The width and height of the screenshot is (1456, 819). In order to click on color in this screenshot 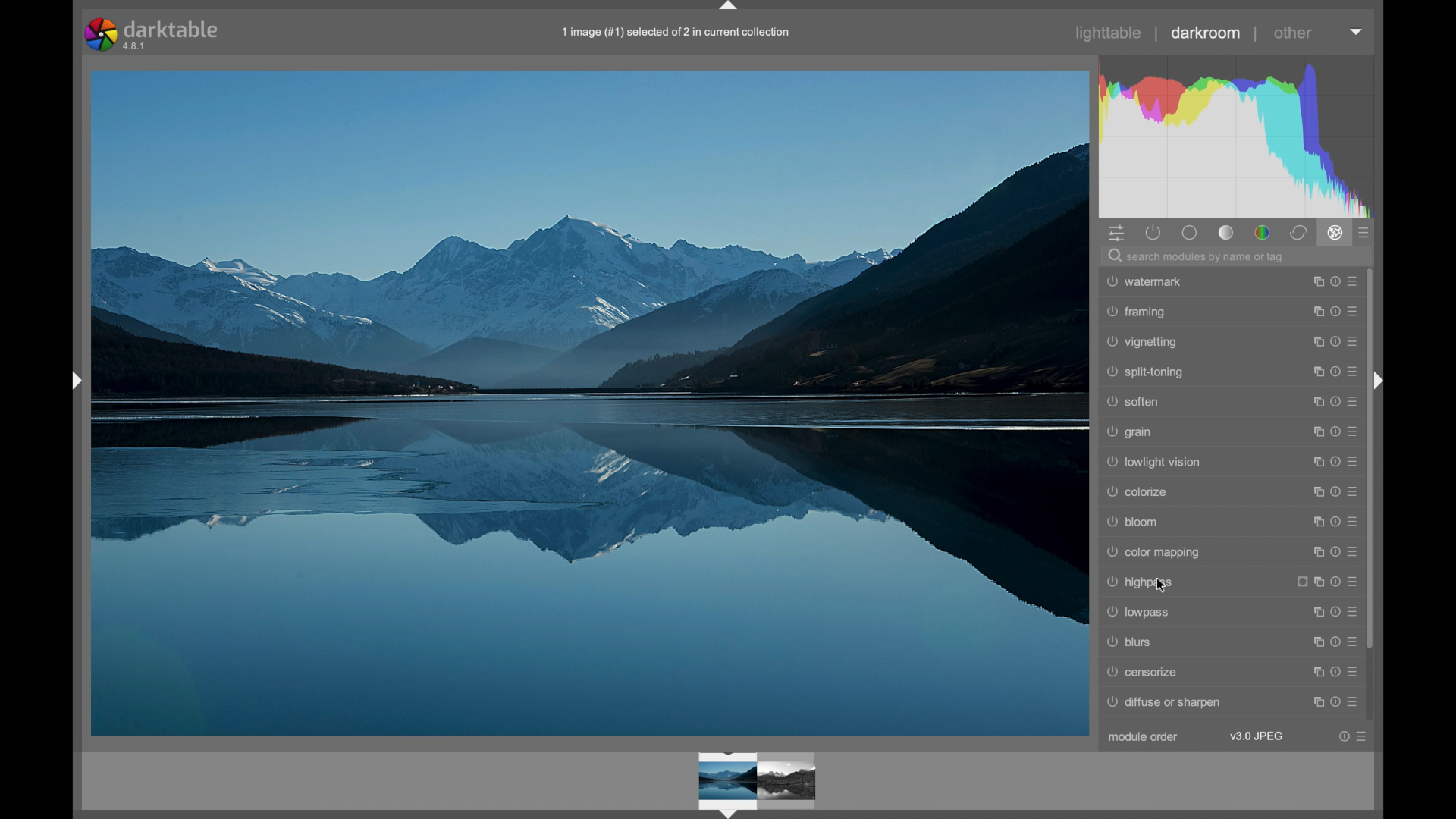, I will do `click(1263, 234)`.